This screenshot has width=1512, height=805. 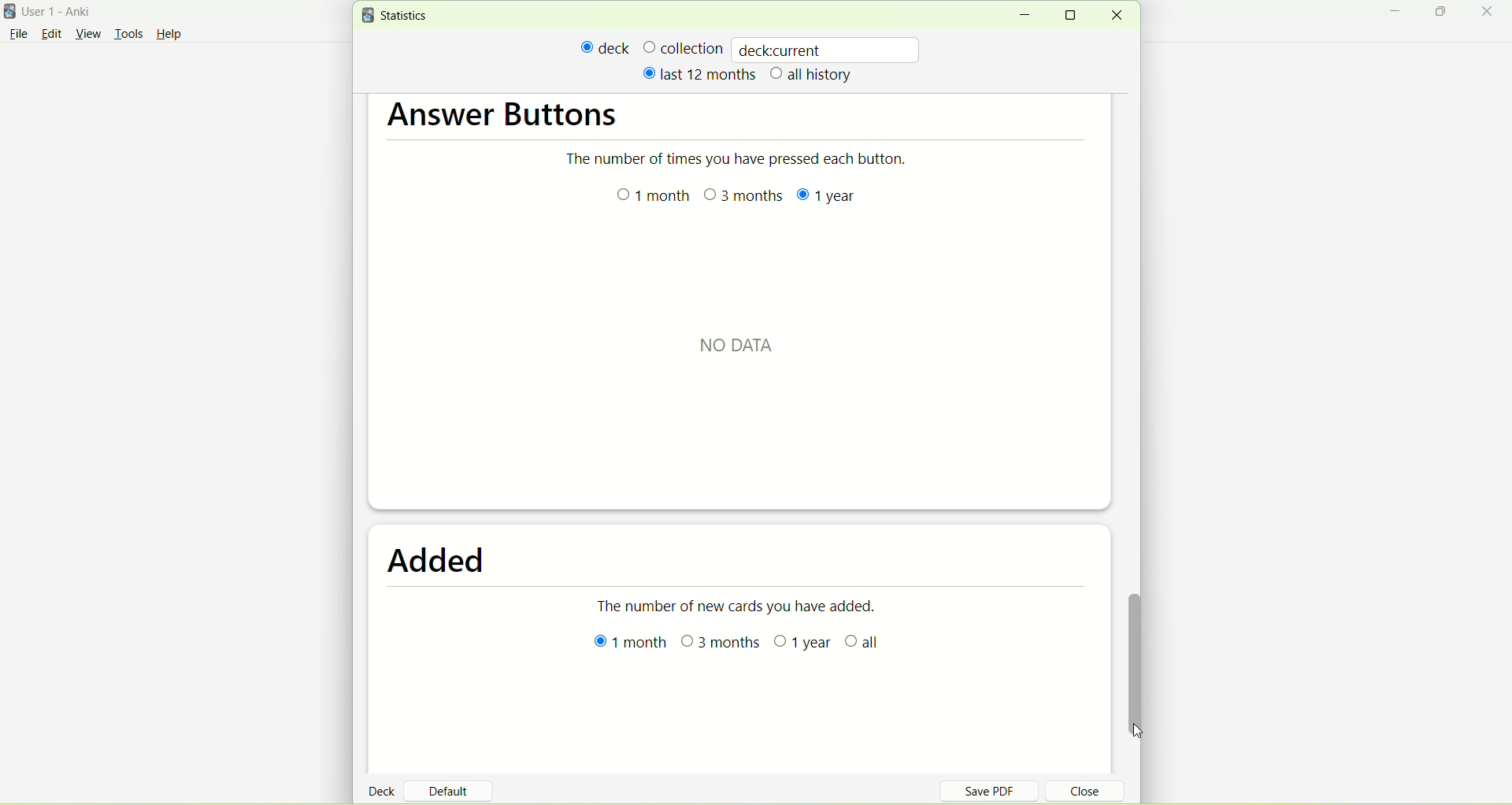 What do you see at coordinates (1076, 15) in the screenshot?
I see `maximize` at bounding box center [1076, 15].